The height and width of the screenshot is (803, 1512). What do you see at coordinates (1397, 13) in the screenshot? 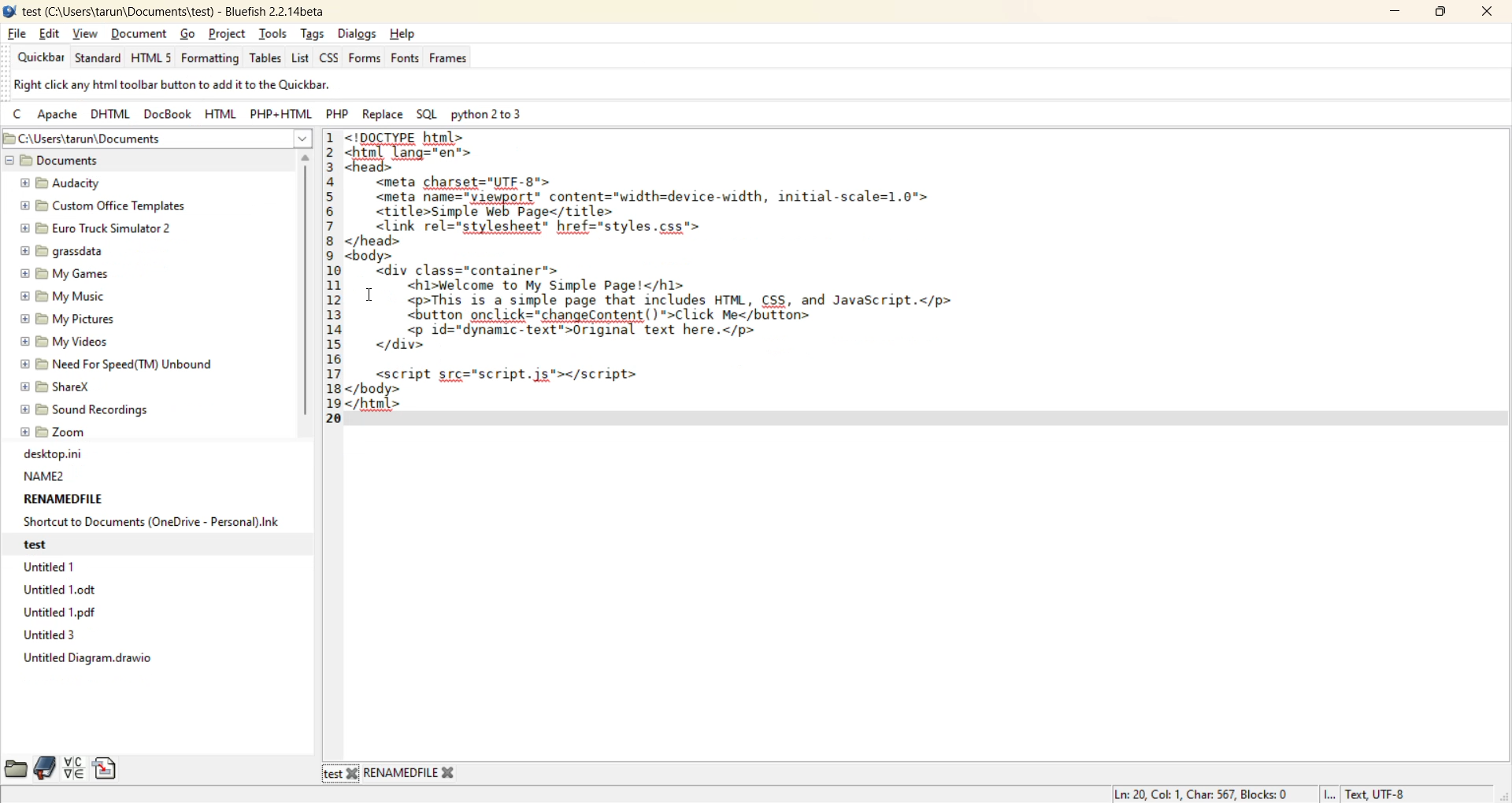
I see `minimize` at bounding box center [1397, 13].